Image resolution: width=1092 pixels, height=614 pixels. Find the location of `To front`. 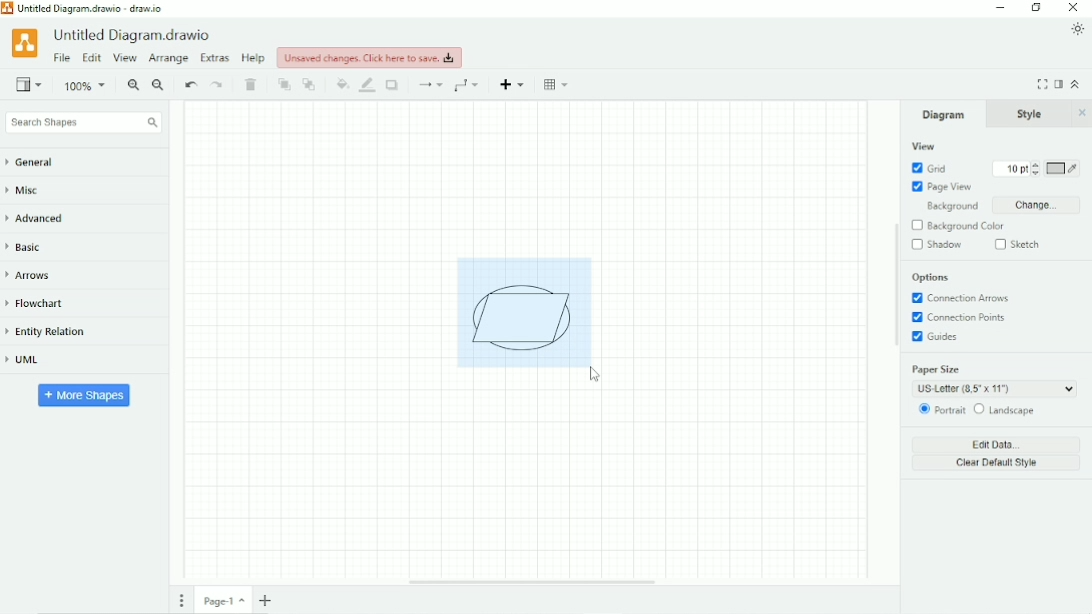

To front is located at coordinates (284, 85).